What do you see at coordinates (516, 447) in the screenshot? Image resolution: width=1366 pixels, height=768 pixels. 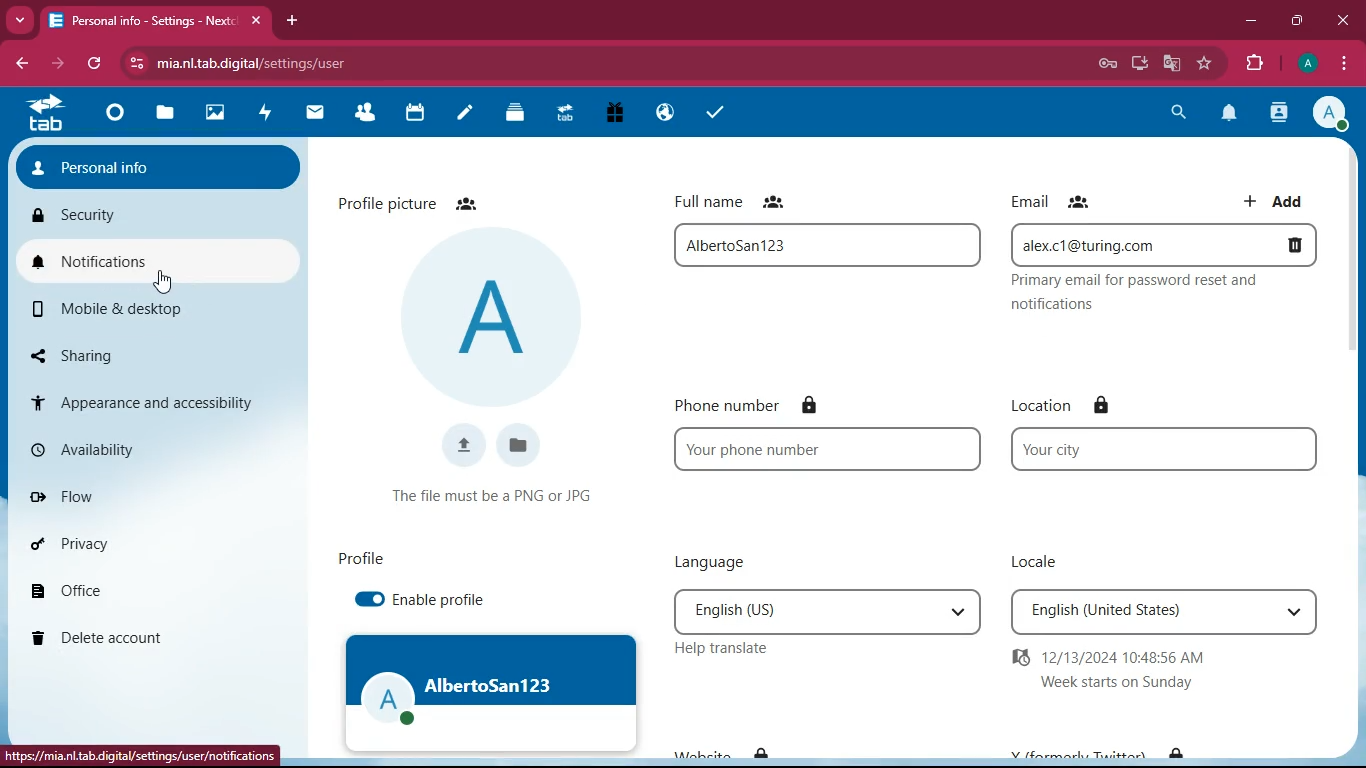 I see `files` at bounding box center [516, 447].